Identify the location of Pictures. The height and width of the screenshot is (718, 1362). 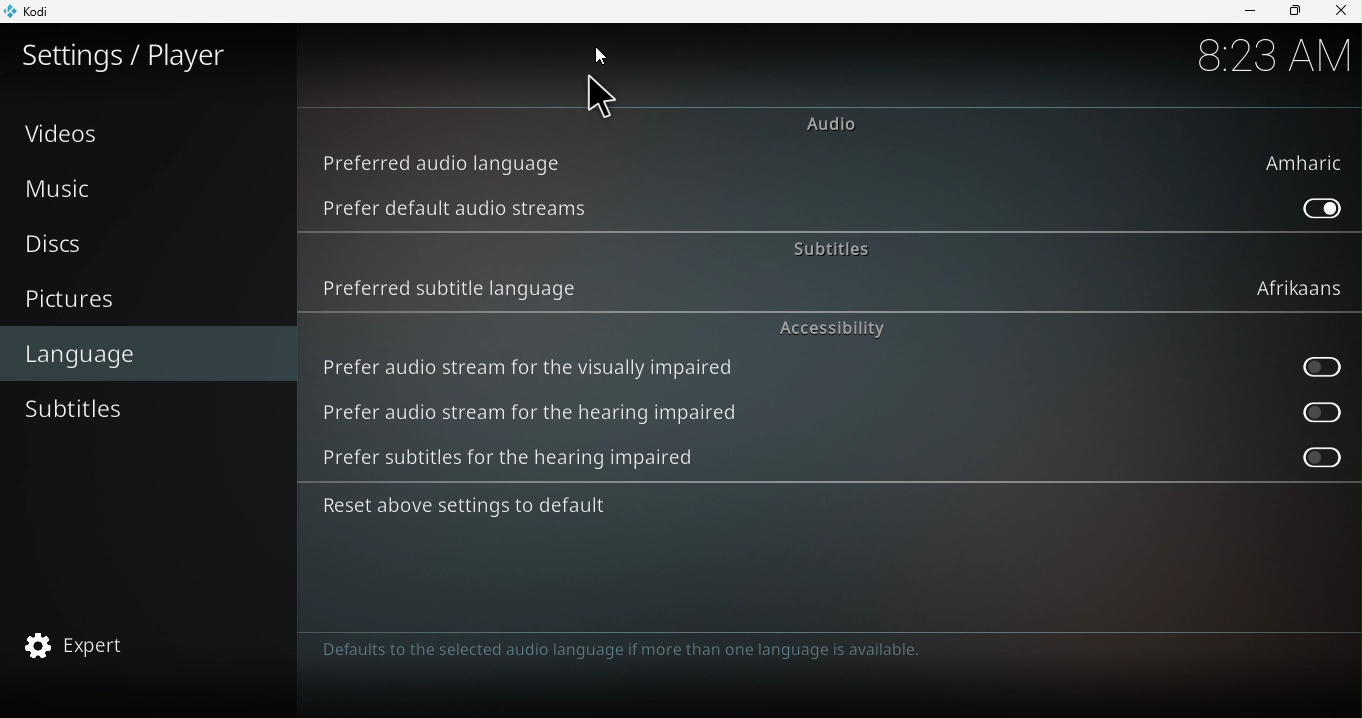
(147, 301).